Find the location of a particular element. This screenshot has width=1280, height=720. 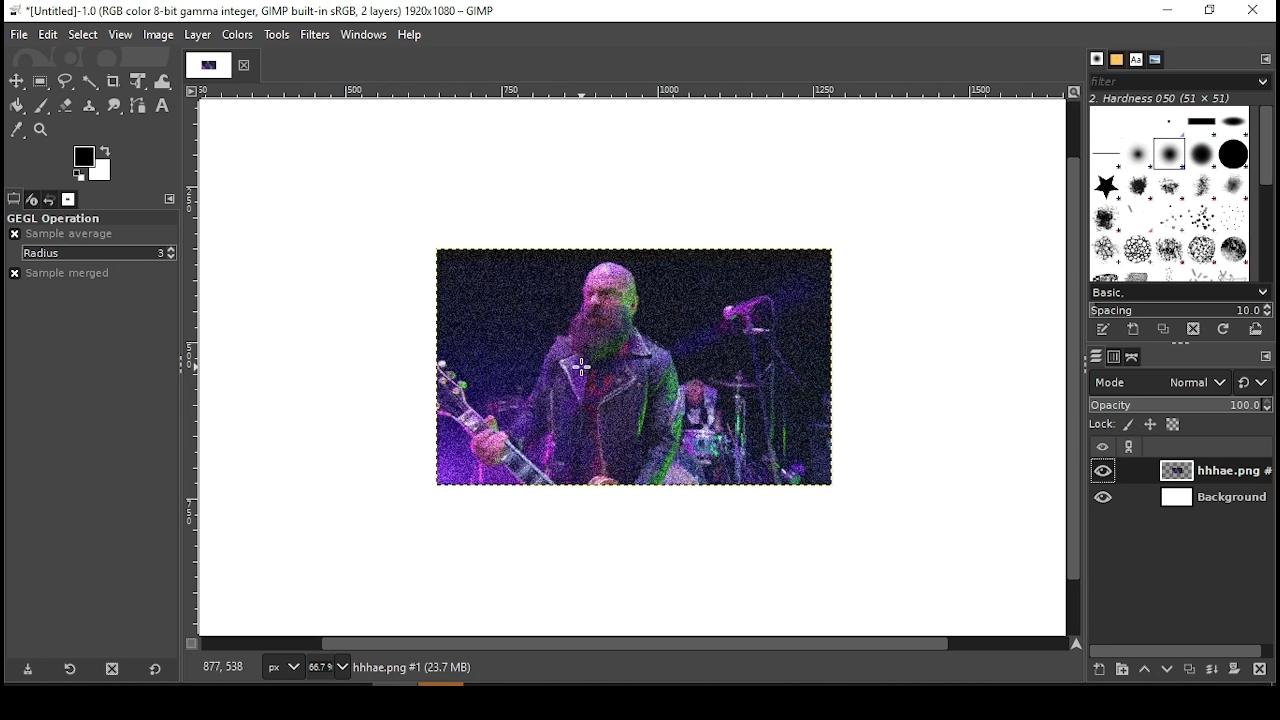

brushes is located at coordinates (1098, 59).